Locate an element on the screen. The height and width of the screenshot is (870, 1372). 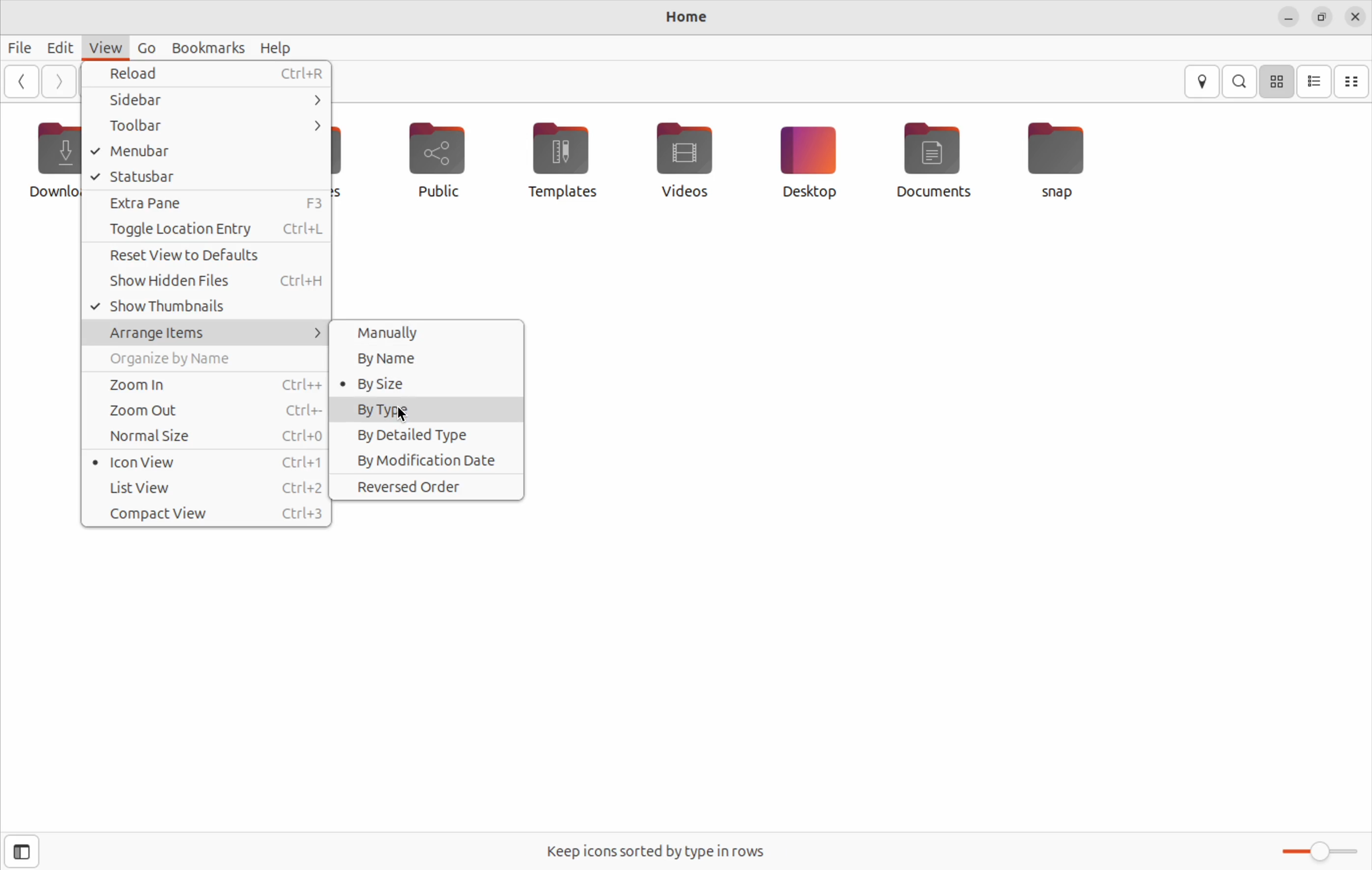
show hidden files is located at coordinates (207, 281).